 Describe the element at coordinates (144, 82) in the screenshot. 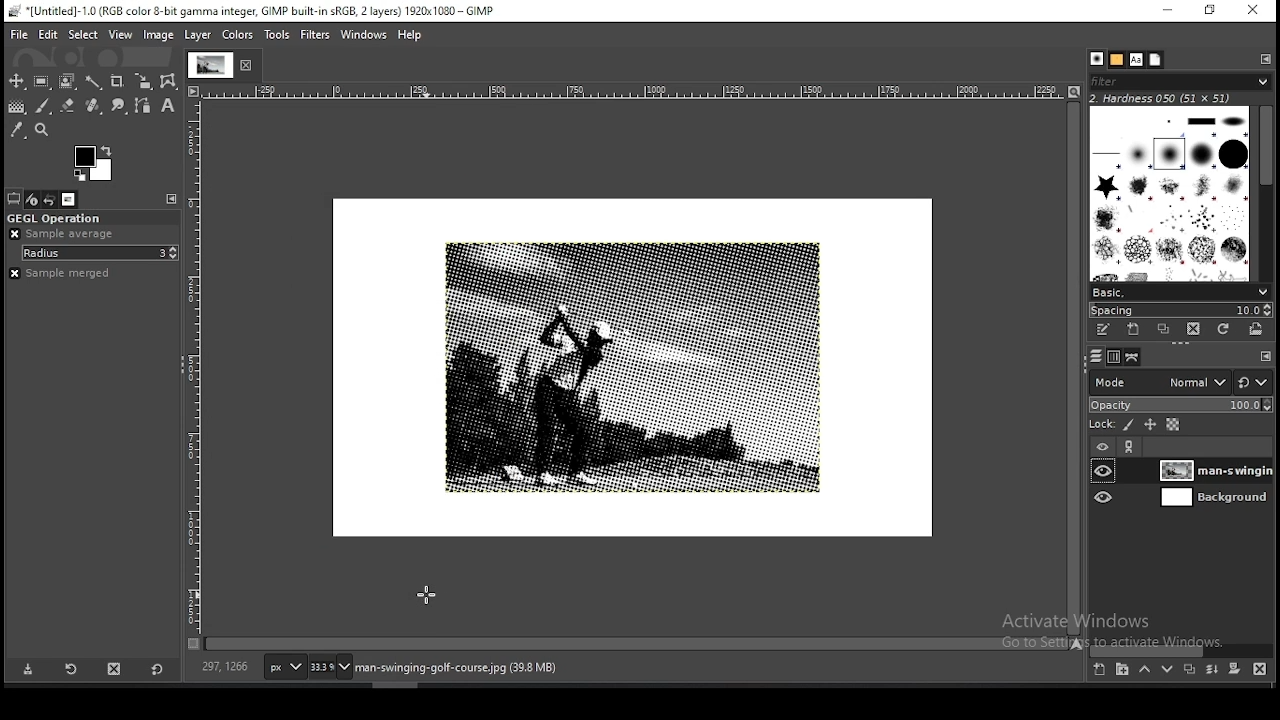

I see `scale tool` at that location.